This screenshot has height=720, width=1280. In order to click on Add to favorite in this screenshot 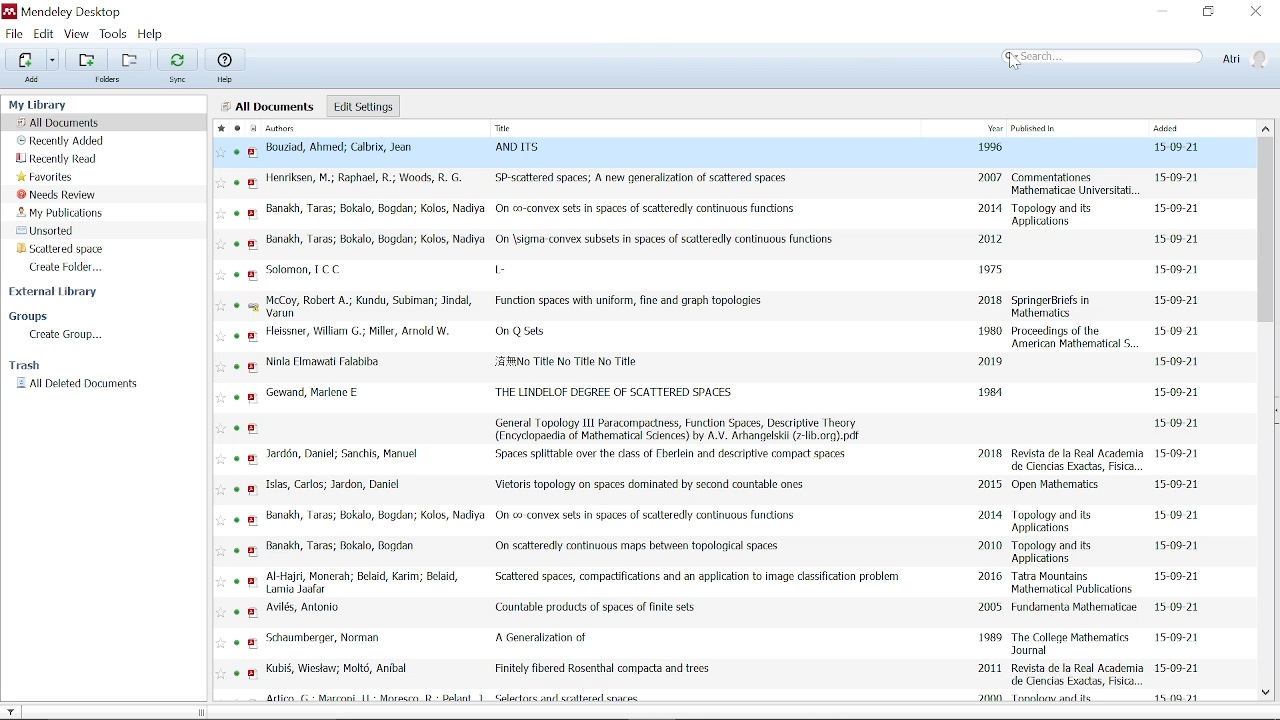, I will do `click(221, 336)`.